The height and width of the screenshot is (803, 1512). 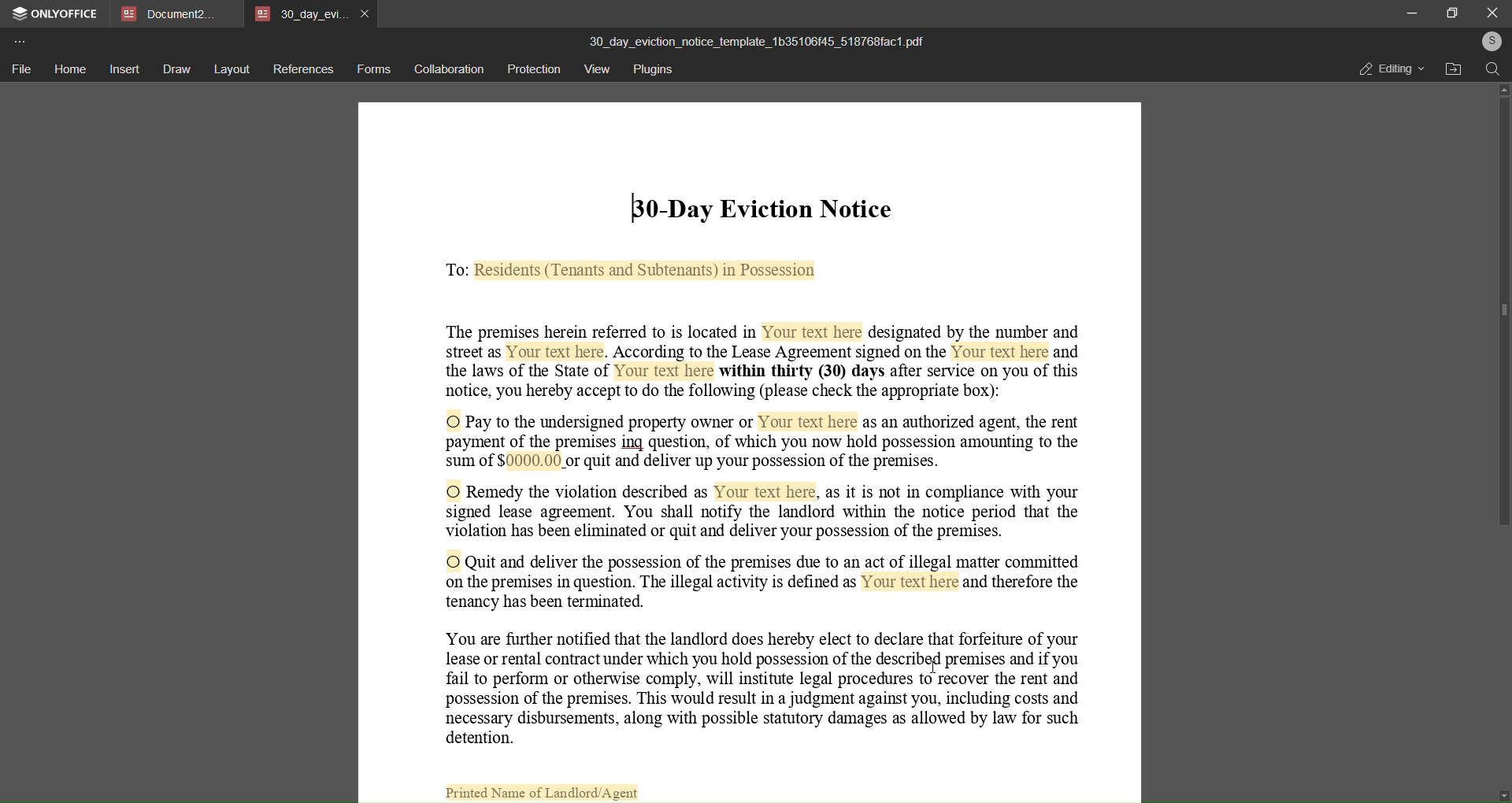 I want to click on user, so click(x=1488, y=41).